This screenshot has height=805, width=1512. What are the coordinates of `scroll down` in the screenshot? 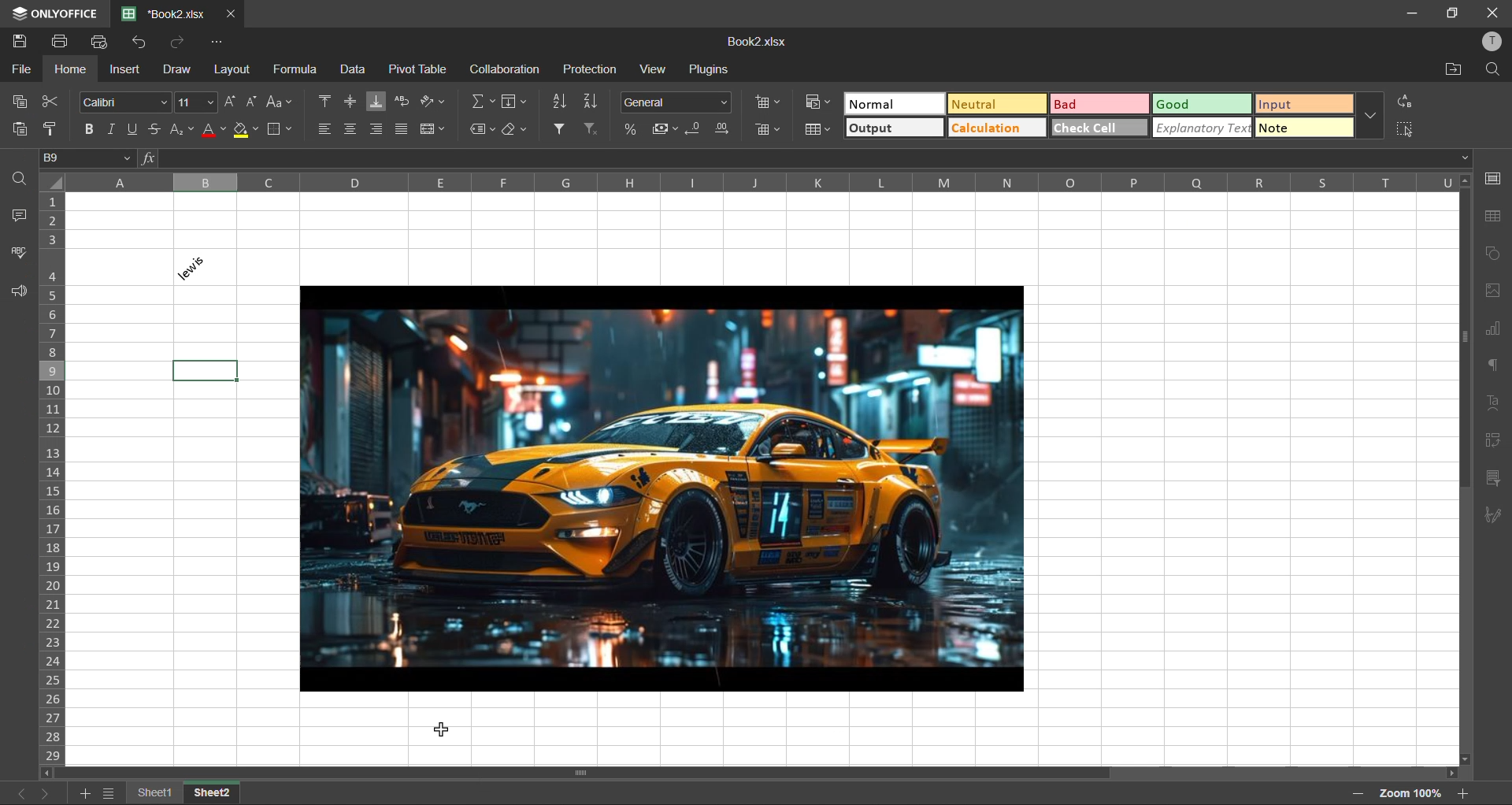 It's located at (1466, 759).